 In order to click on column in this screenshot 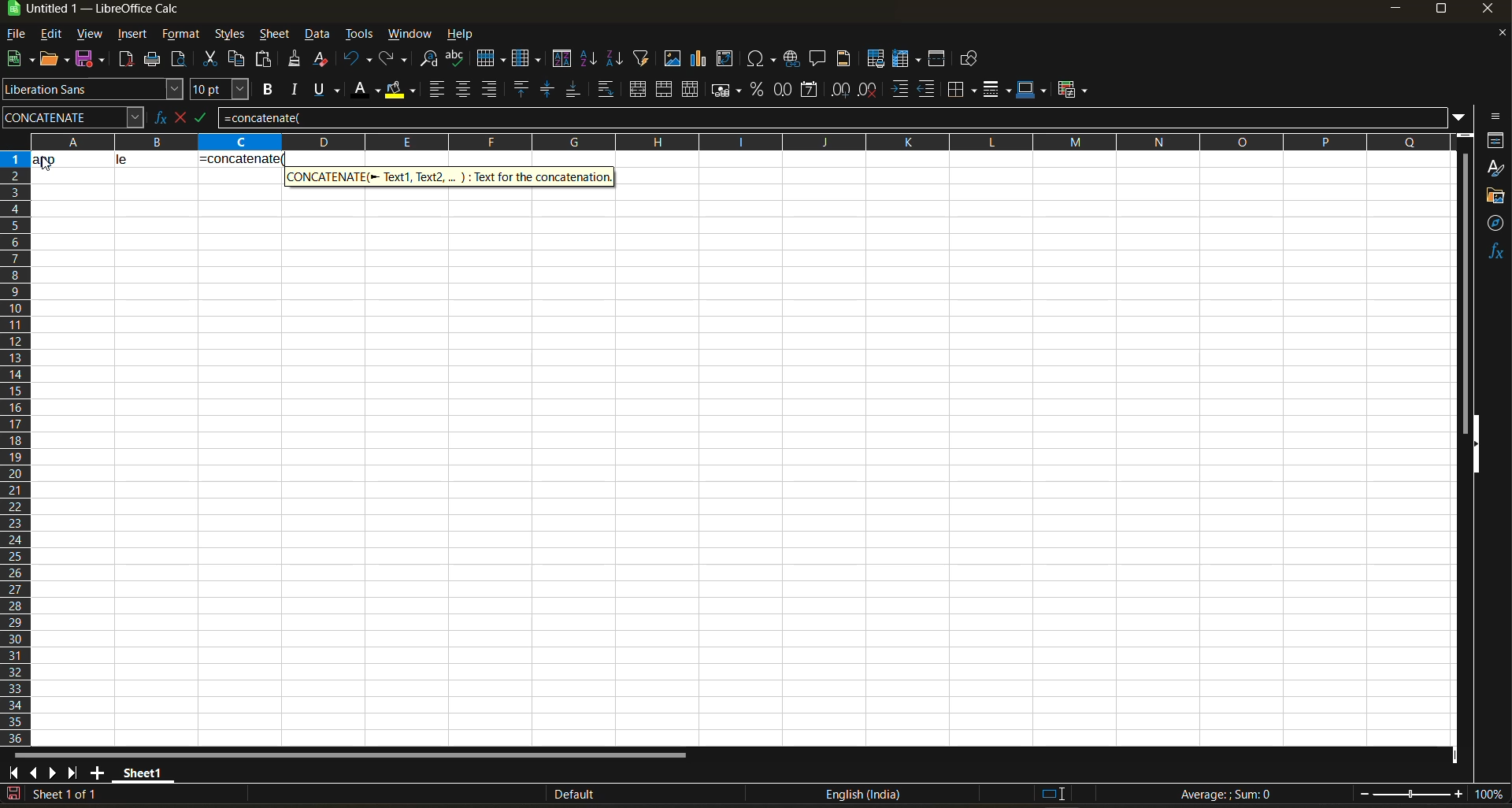, I will do `click(528, 61)`.